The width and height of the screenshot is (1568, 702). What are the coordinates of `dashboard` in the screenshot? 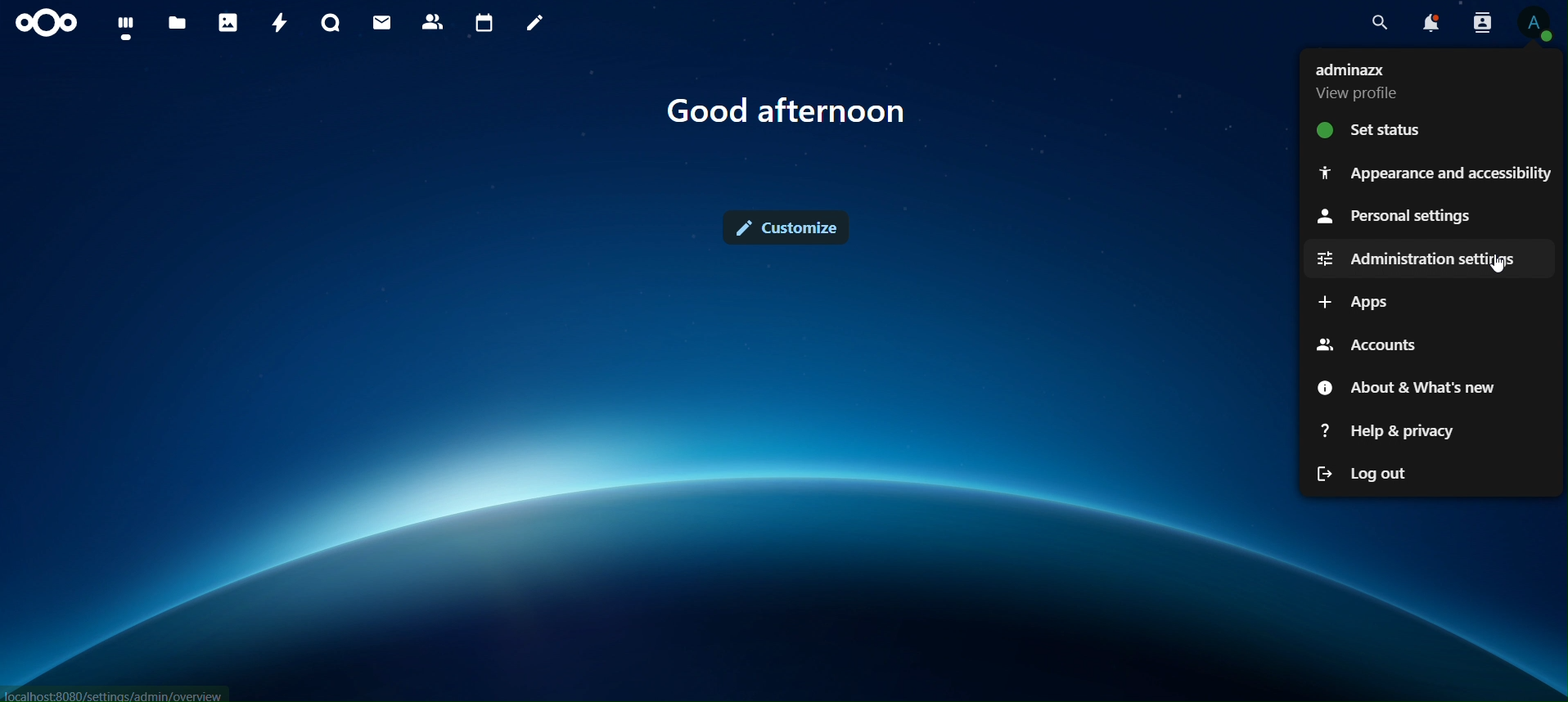 It's located at (126, 27).